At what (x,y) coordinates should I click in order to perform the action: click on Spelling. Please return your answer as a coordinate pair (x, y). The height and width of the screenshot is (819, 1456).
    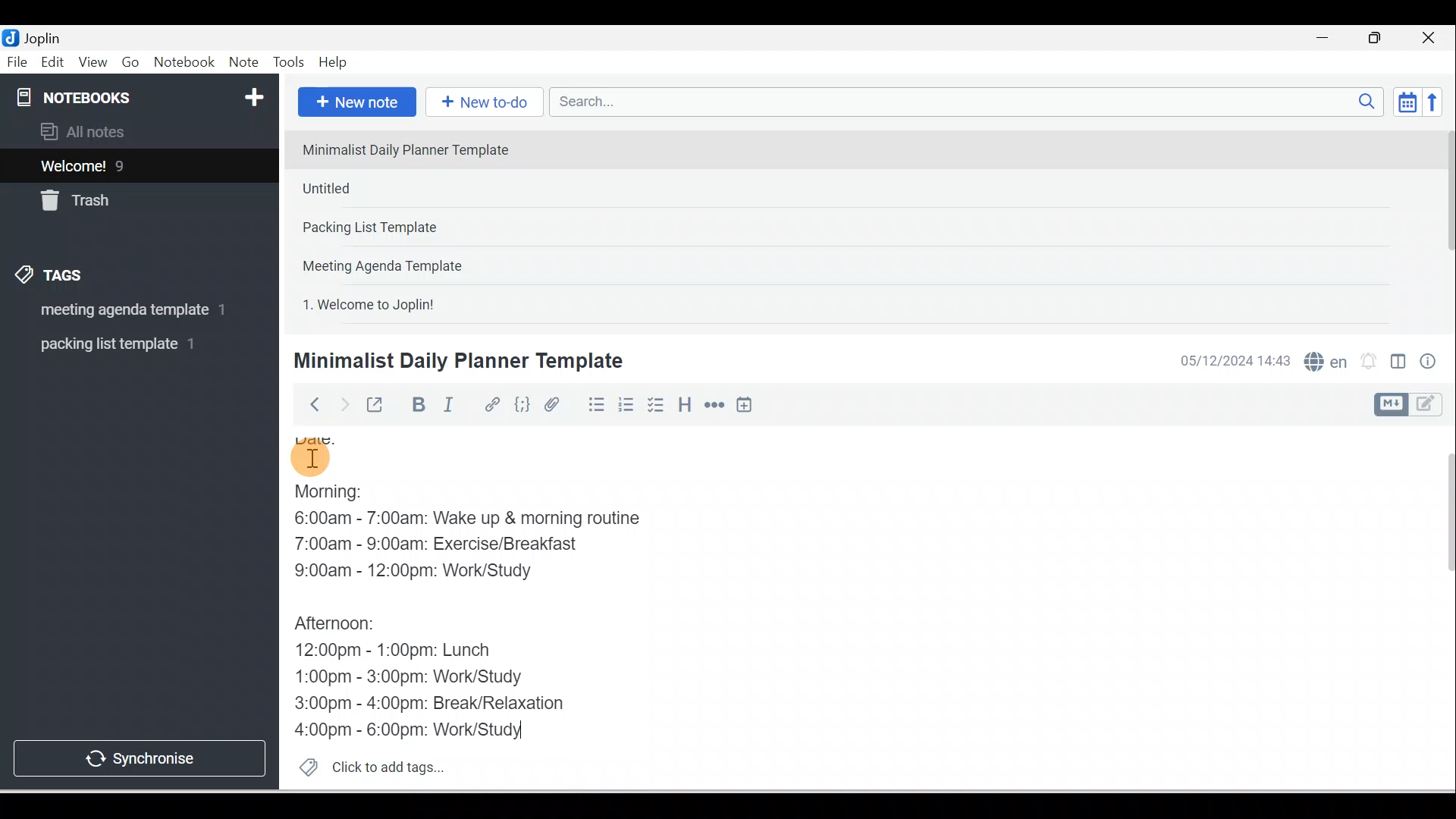
    Looking at the image, I should click on (1323, 359).